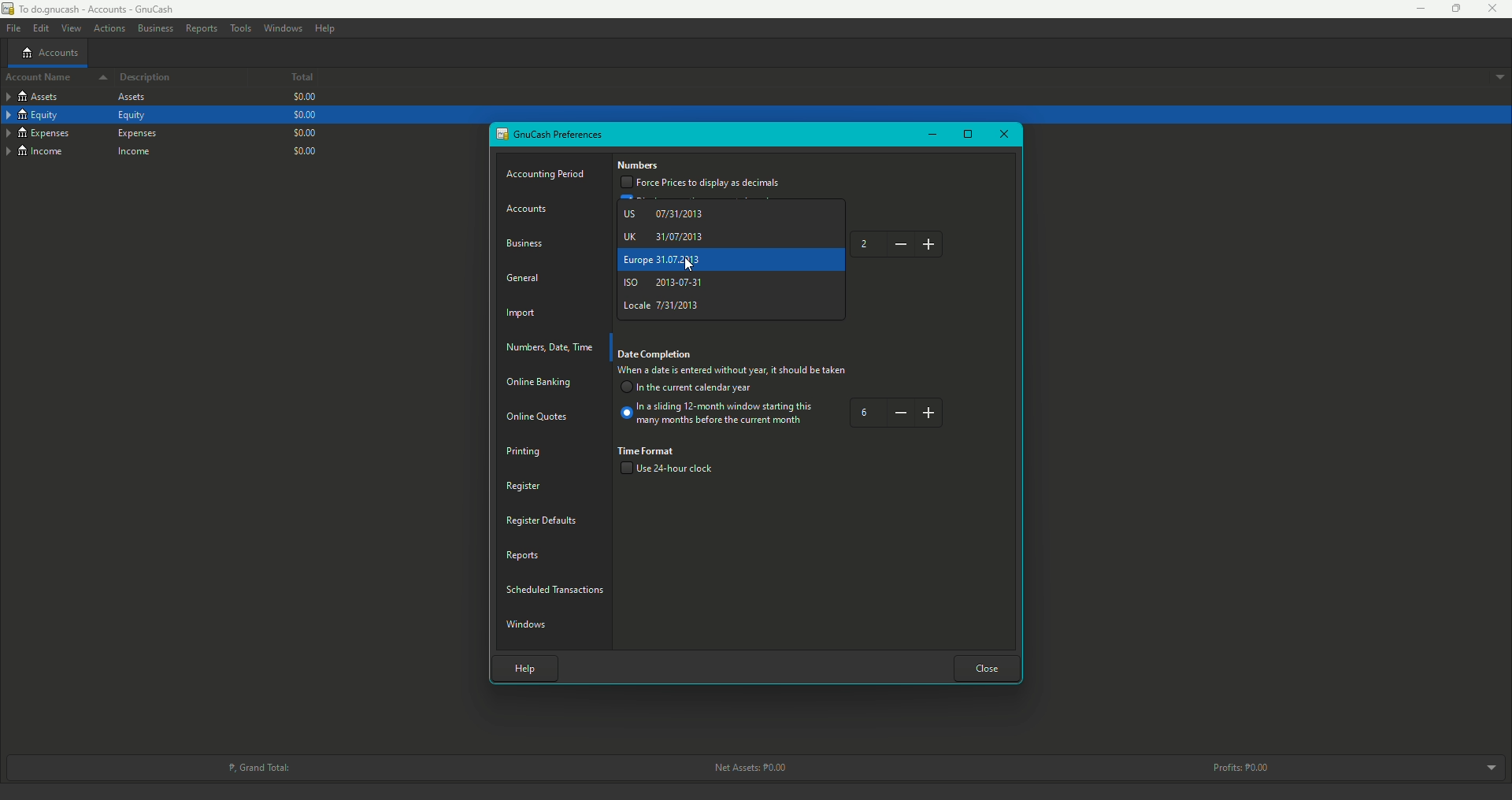 The image size is (1512, 800). I want to click on Close, so click(1002, 135).